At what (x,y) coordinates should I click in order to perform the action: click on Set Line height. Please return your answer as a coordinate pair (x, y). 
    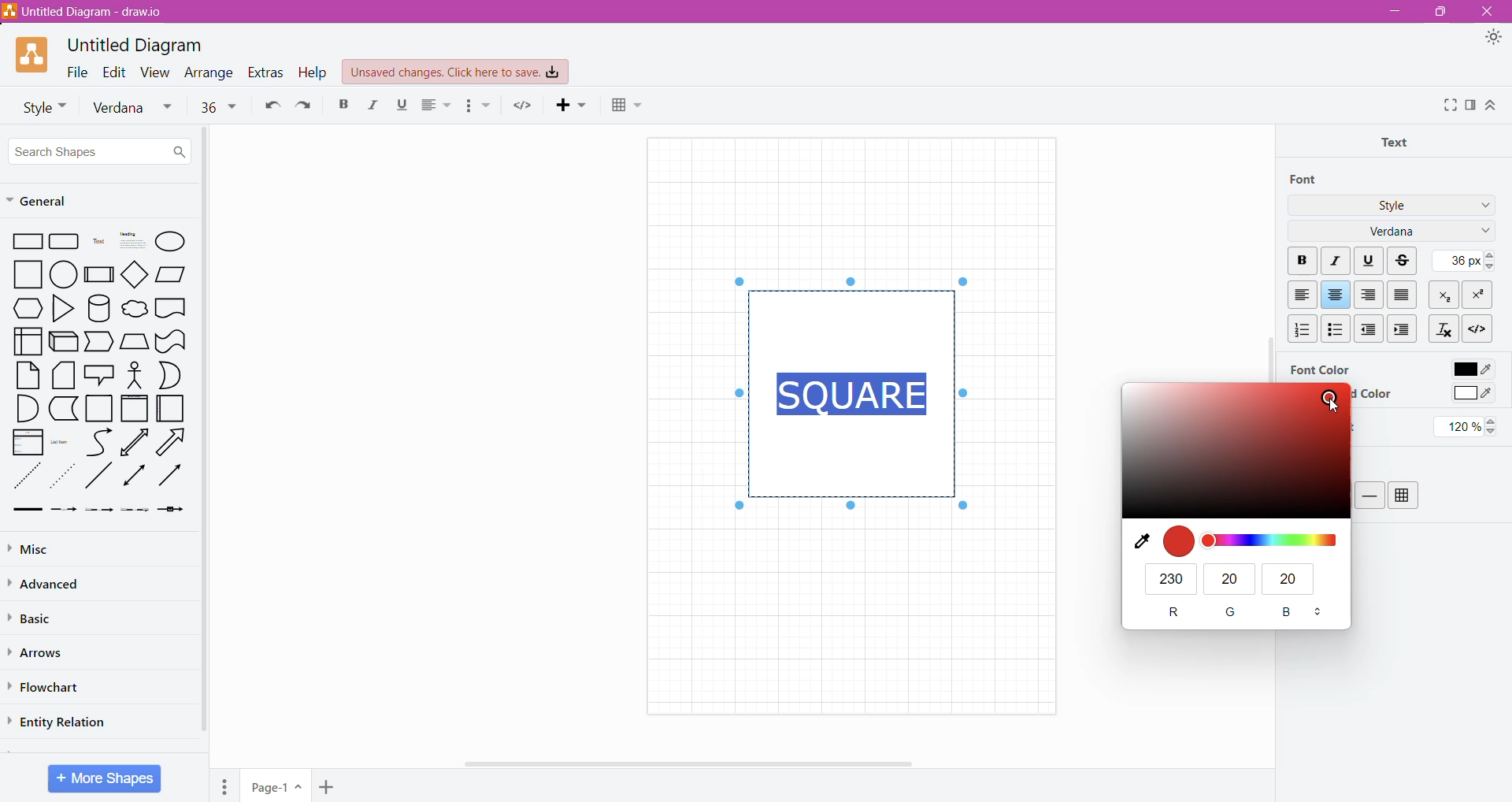
    Looking at the image, I should click on (1469, 426).